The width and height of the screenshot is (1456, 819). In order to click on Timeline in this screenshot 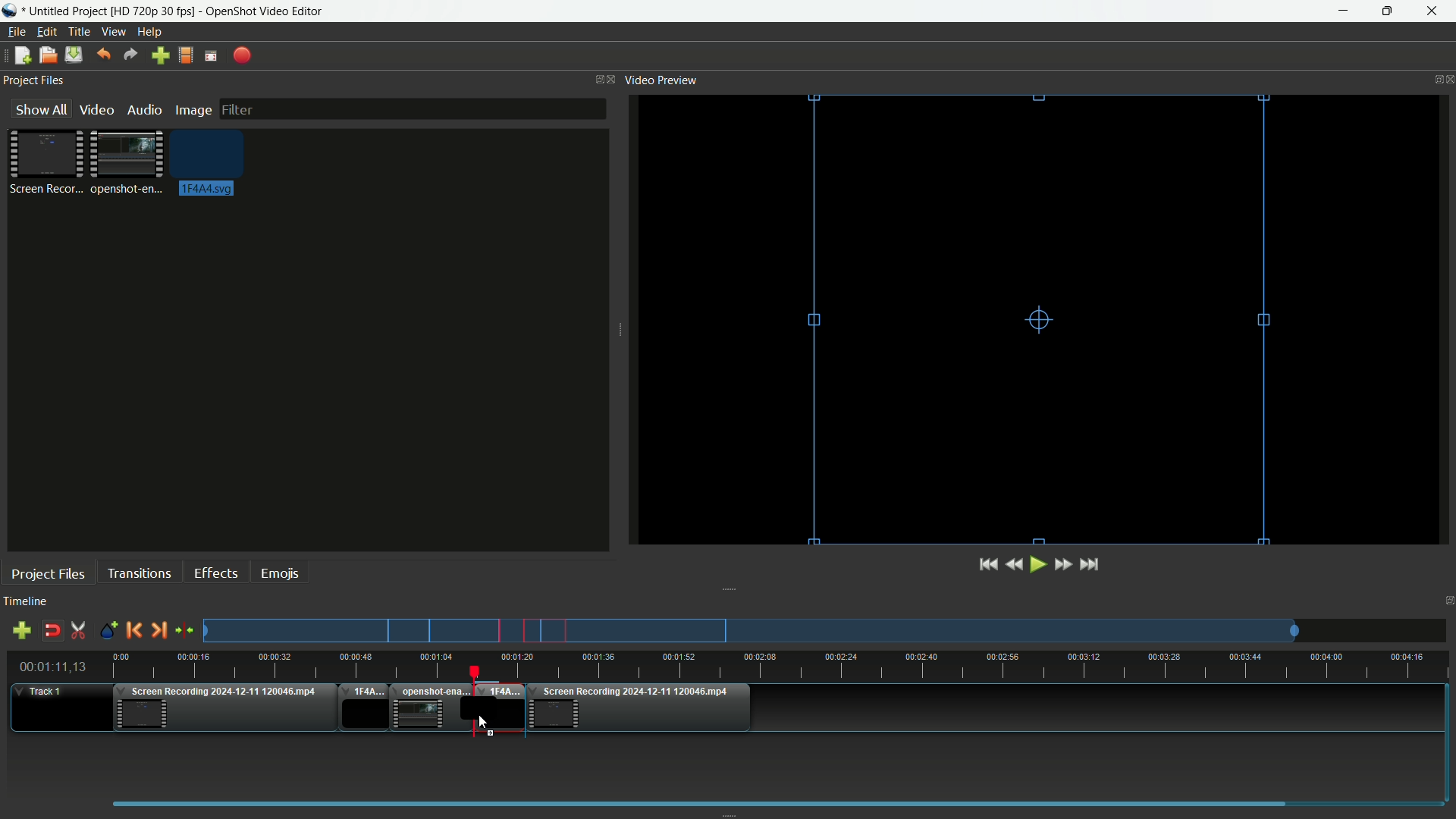, I will do `click(25, 602)`.